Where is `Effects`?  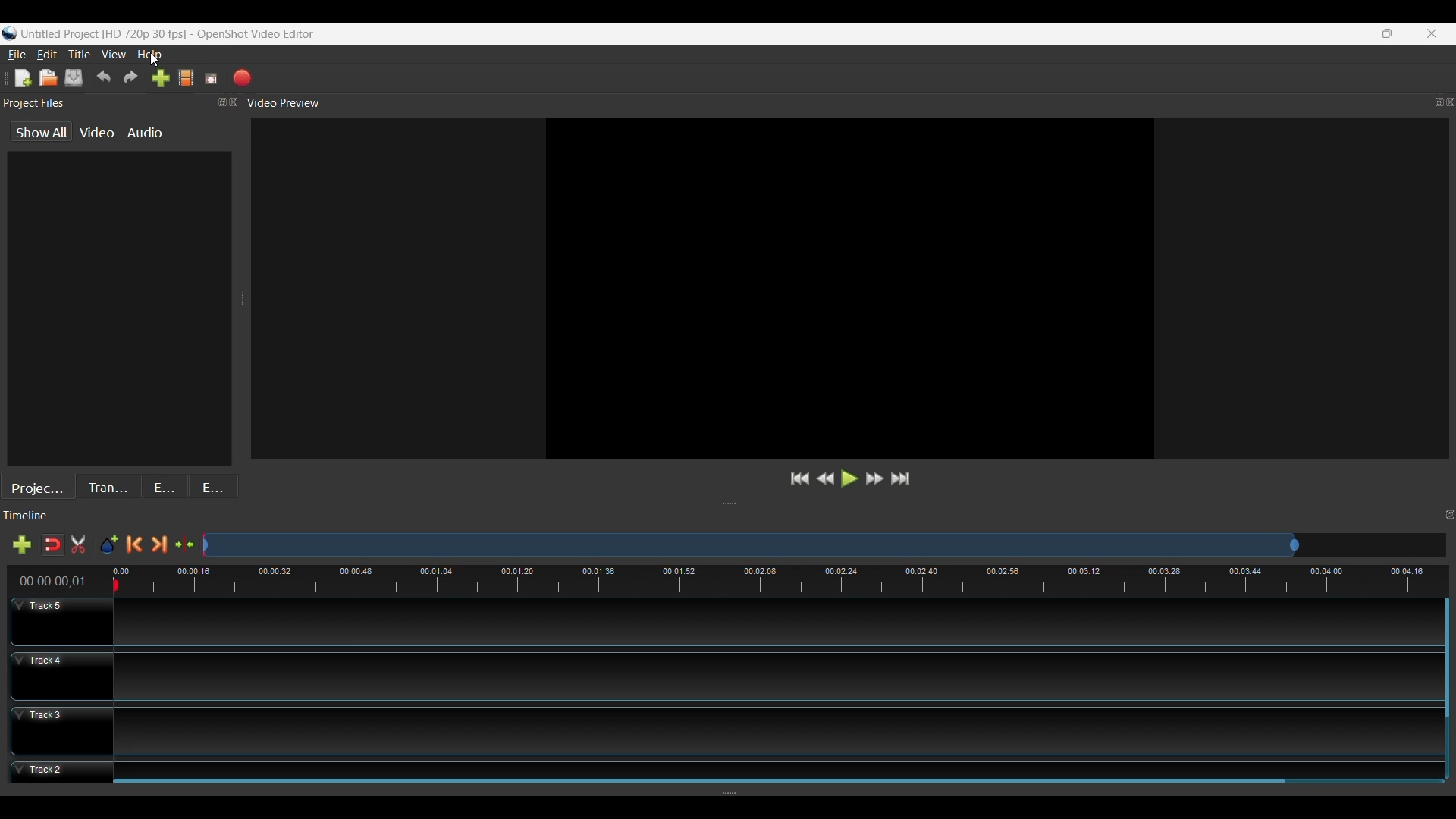
Effects is located at coordinates (166, 485).